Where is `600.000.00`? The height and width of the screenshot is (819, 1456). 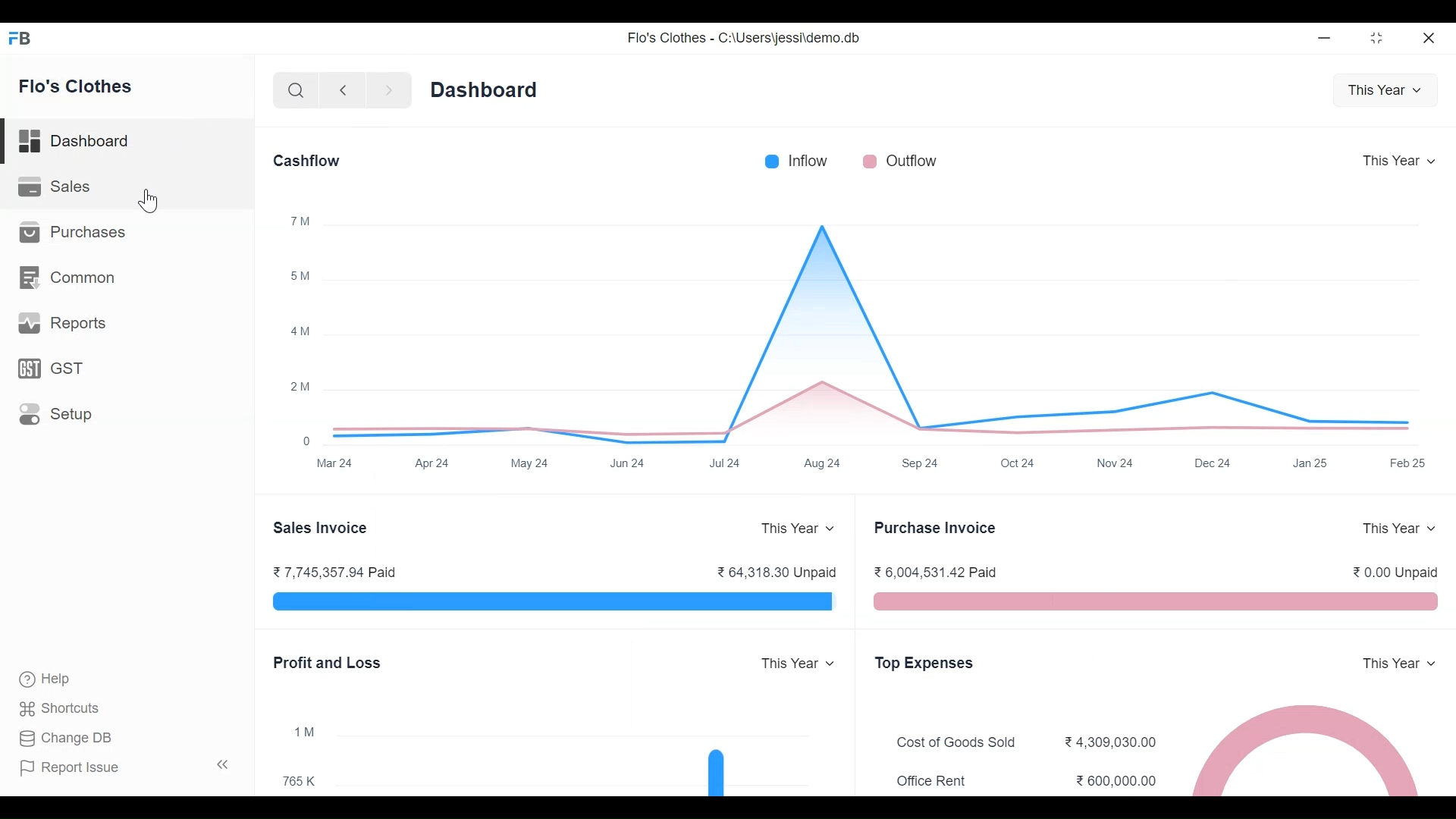 600.000.00 is located at coordinates (1115, 780).